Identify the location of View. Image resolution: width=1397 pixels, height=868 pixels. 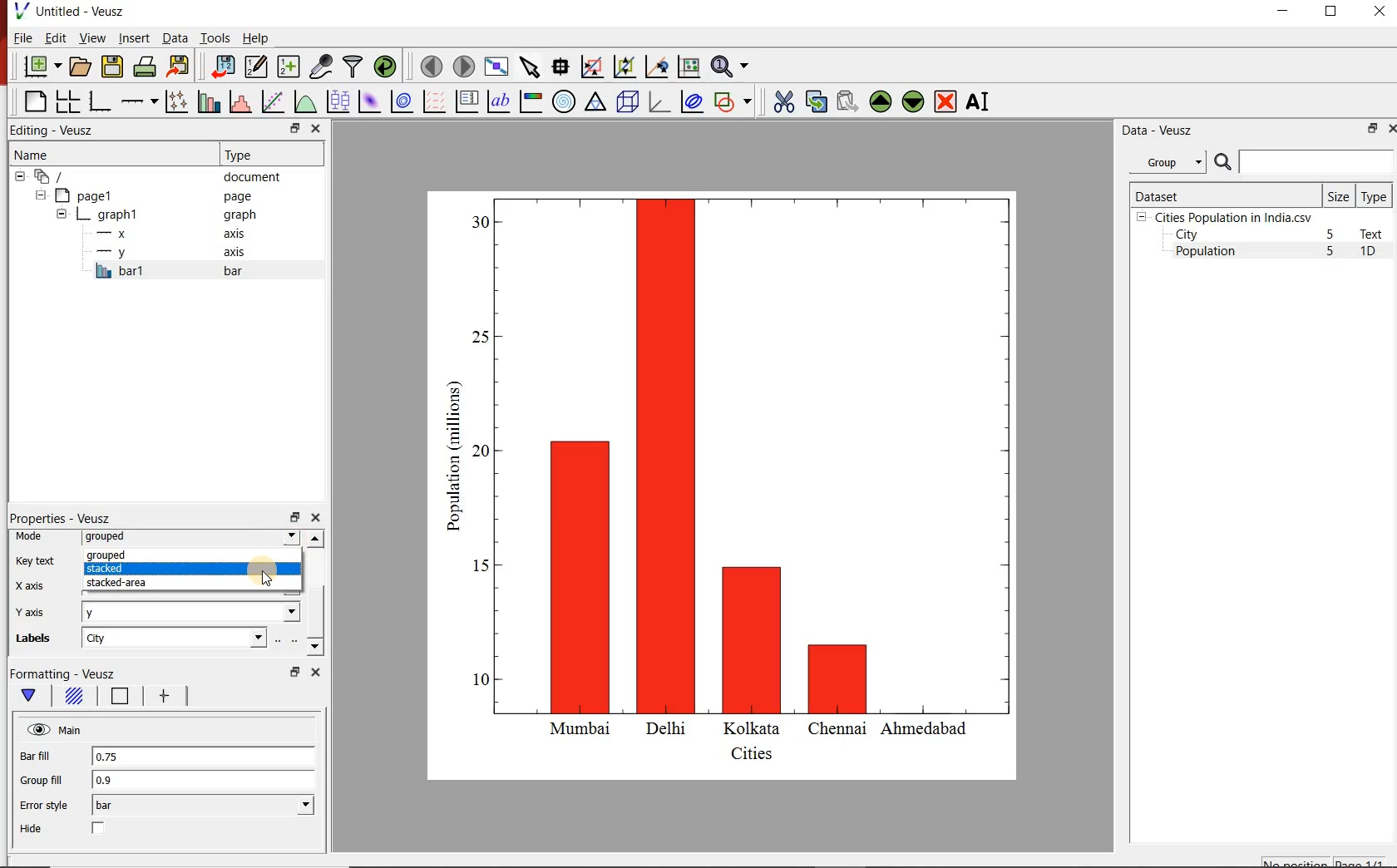
(89, 37).